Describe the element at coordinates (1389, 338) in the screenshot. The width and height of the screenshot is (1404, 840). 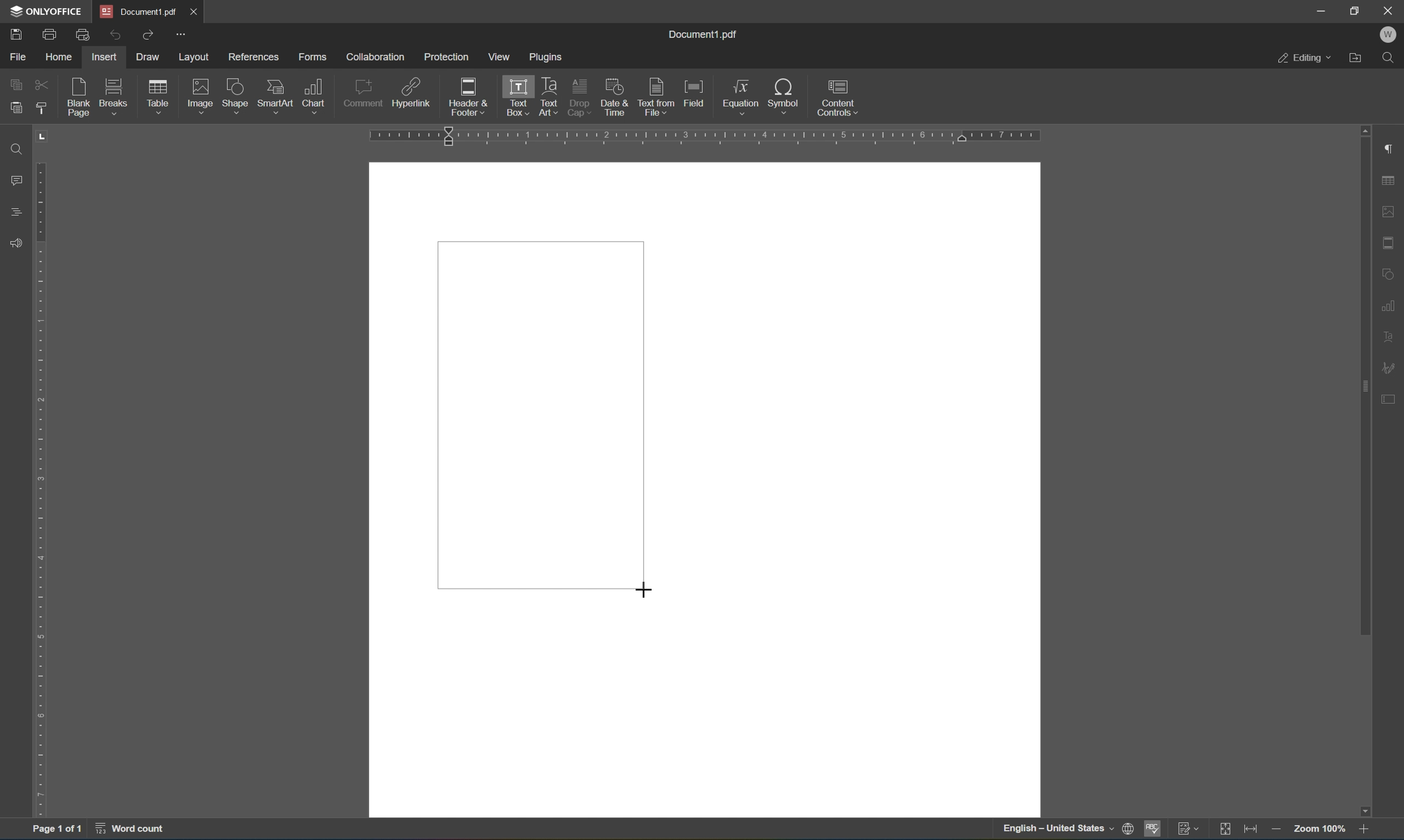
I see `text art settings` at that location.